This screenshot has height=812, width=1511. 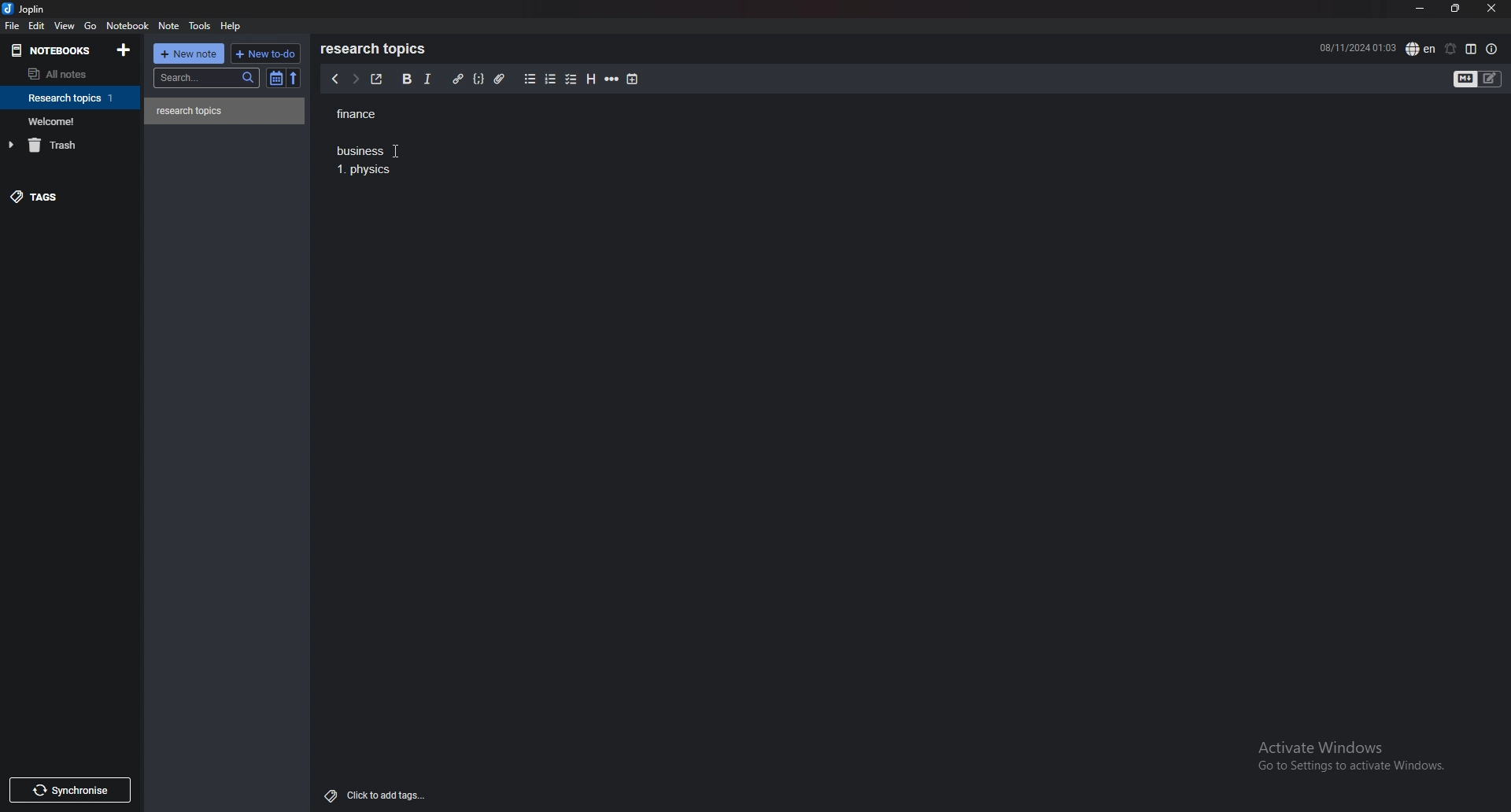 What do you see at coordinates (72, 98) in the screenshot?
I see `notebook` at bounding box center [72, 98].